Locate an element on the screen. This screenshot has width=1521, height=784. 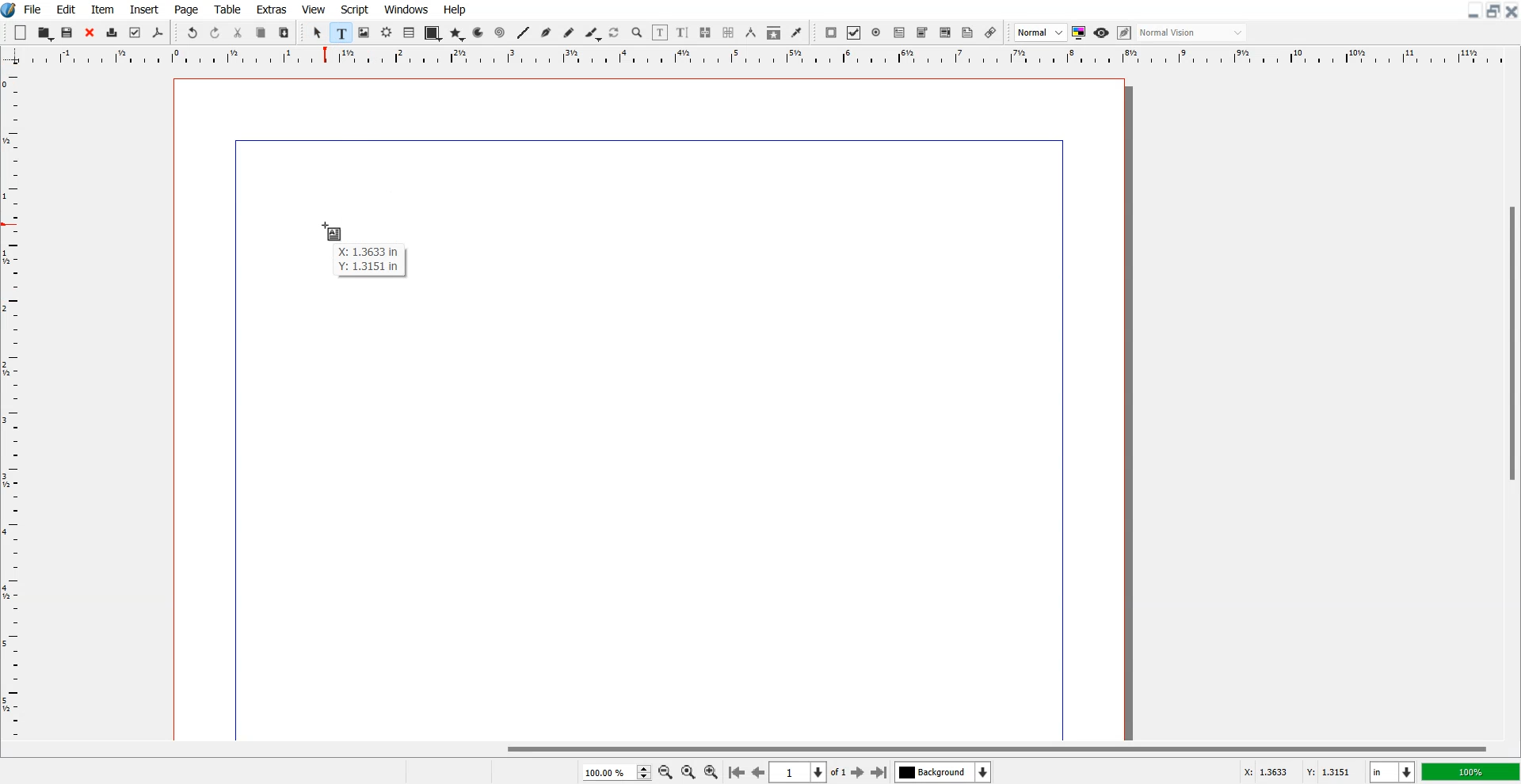
Spiral is located at coordinates (499, 33).